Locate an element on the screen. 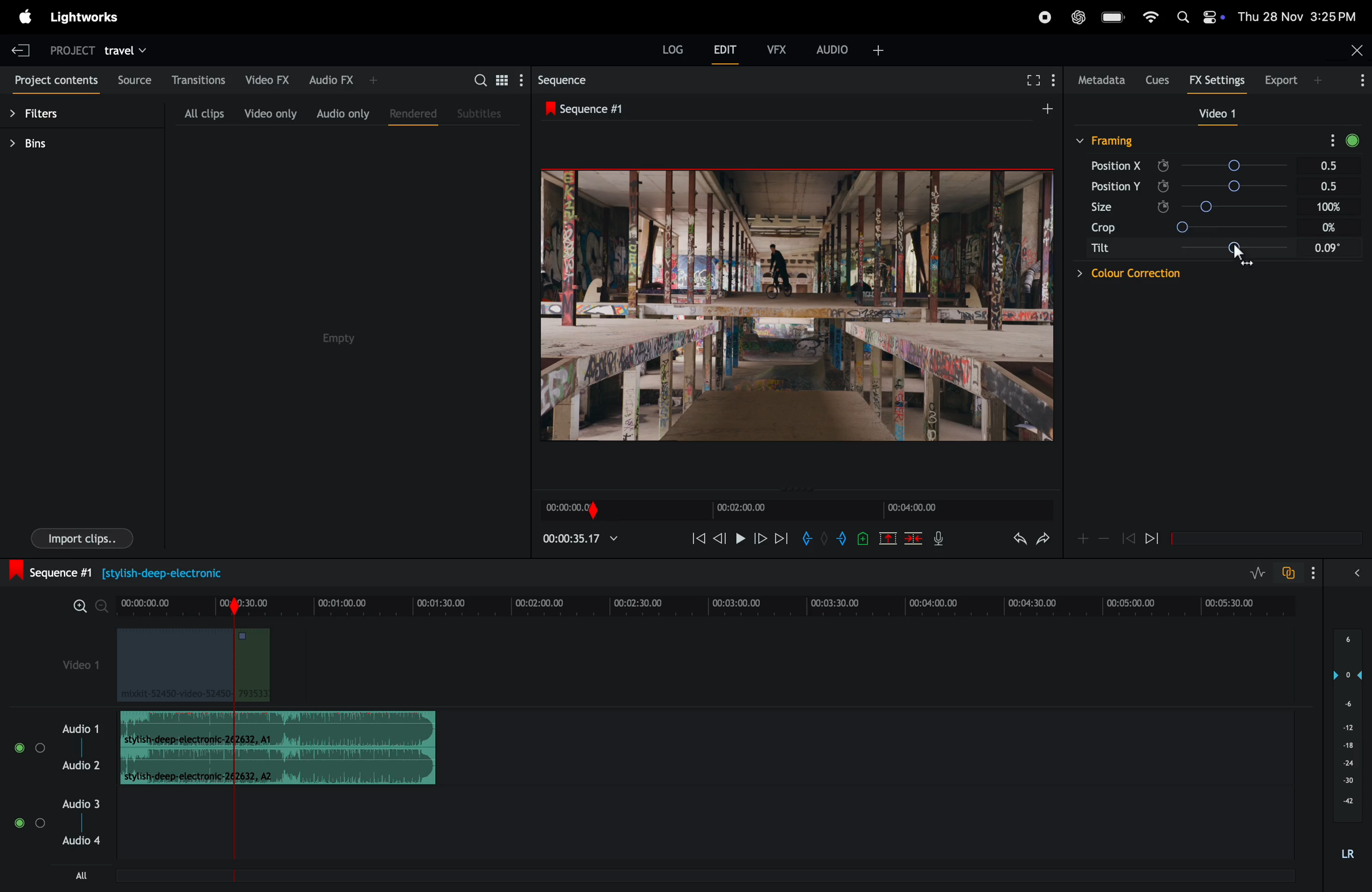 This screenshot has width=1372, height=892. video Fx is located at coordinates (266, 78).